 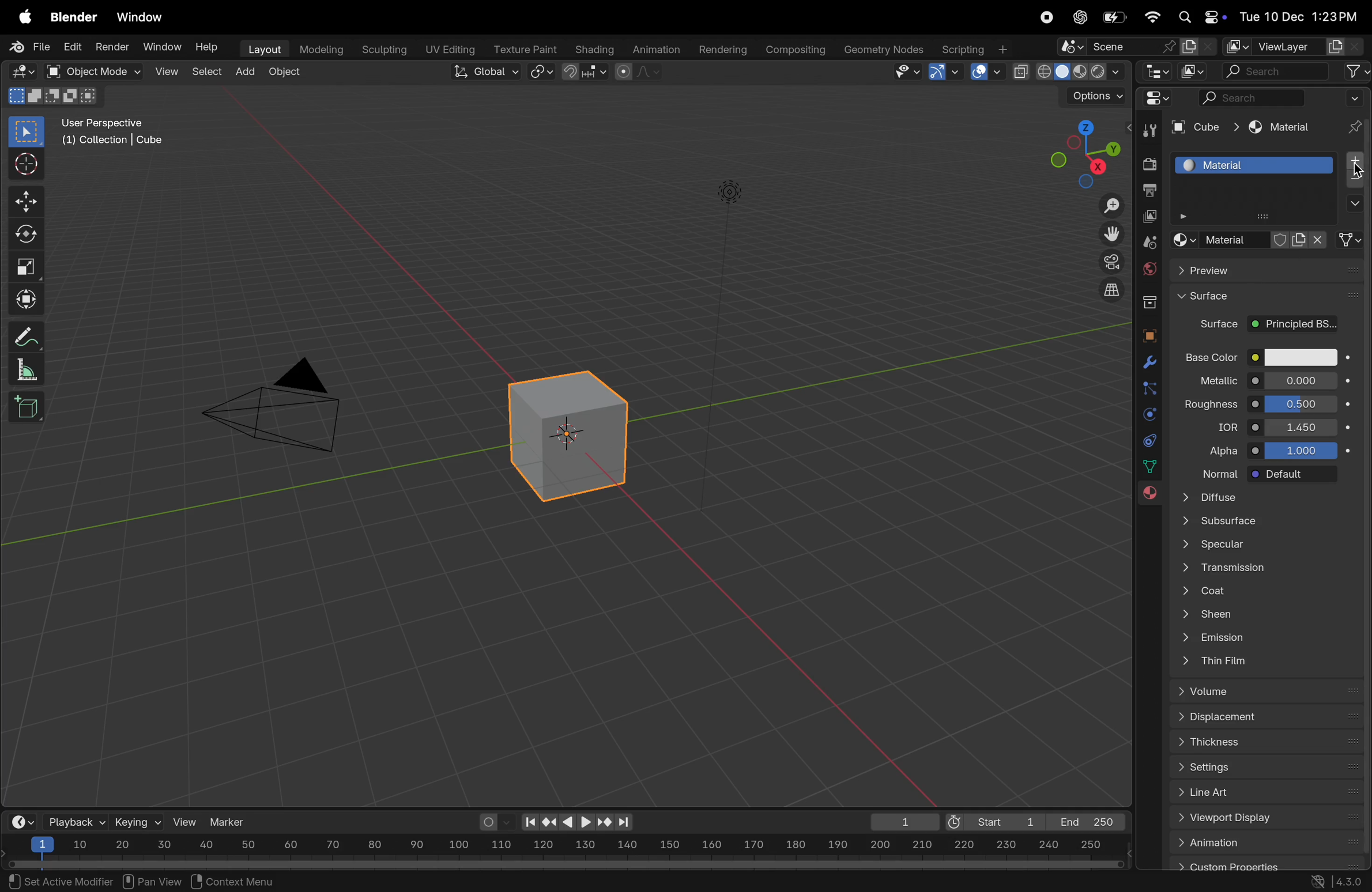 What do you see at coordinates (152, 880) in the screenshot?
I see `pan view` at bounding box center [152, 880].